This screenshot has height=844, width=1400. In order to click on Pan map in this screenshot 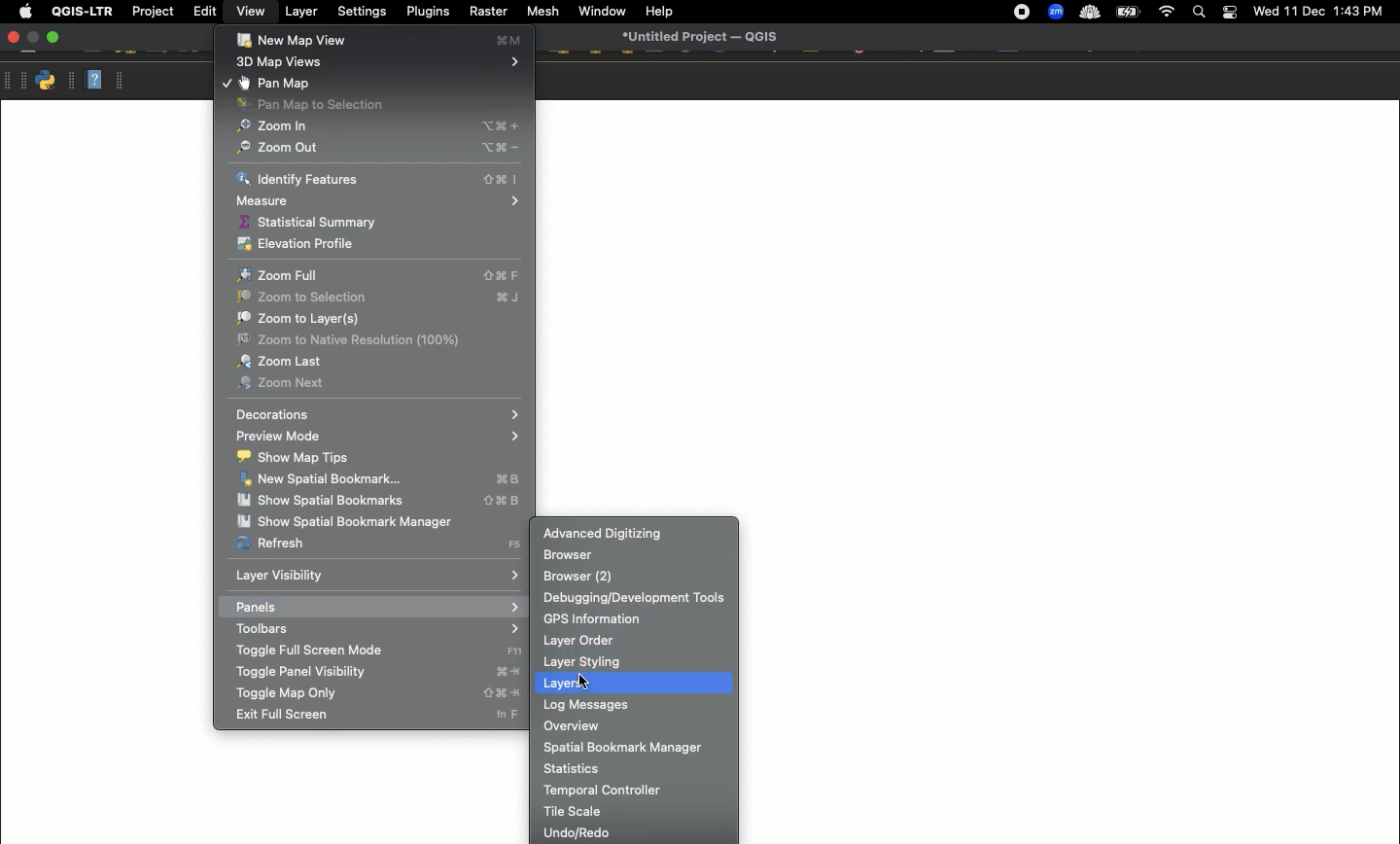, I will do `click(371, 82)`.